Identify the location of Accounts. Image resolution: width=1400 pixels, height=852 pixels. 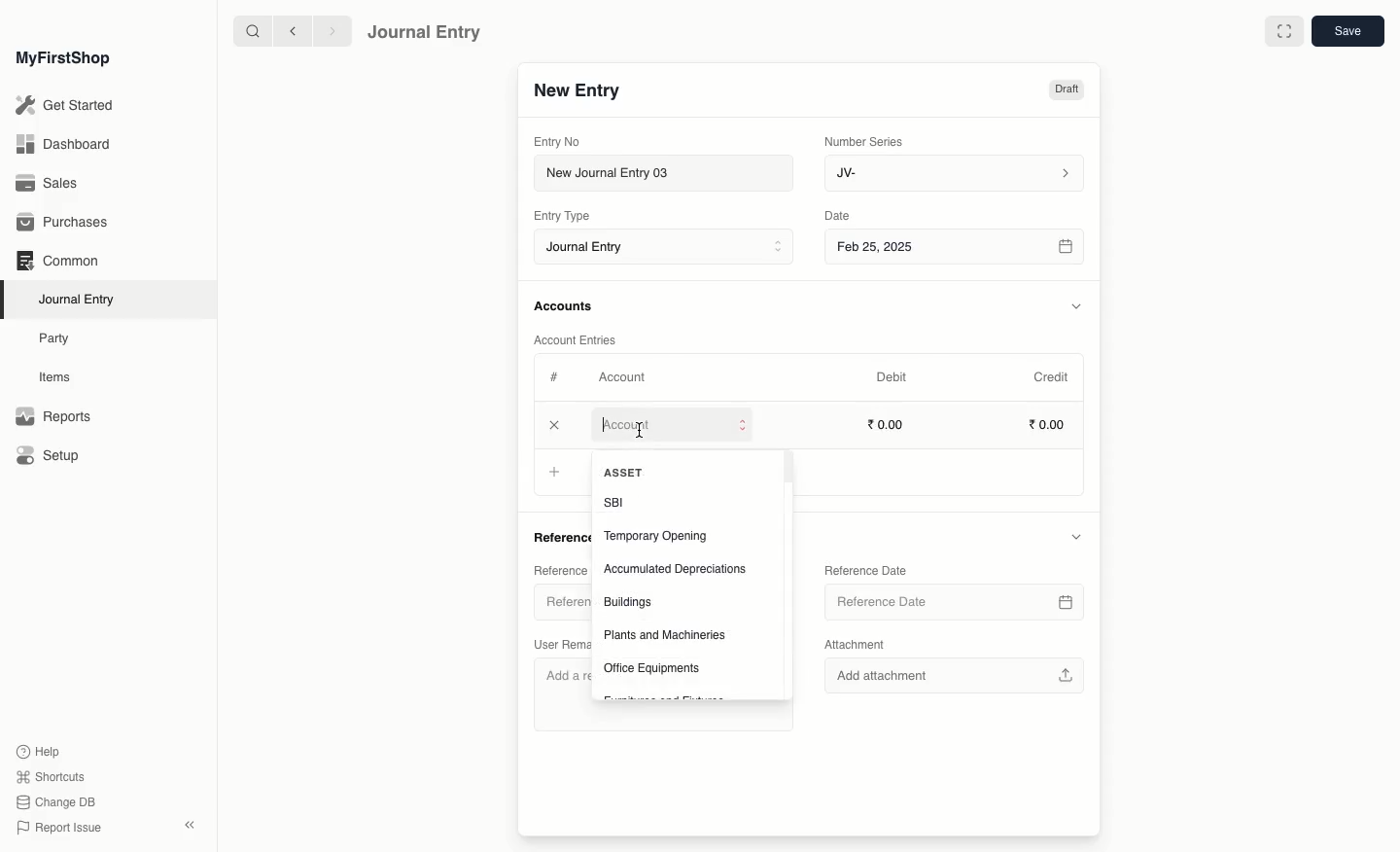
(565, 306).